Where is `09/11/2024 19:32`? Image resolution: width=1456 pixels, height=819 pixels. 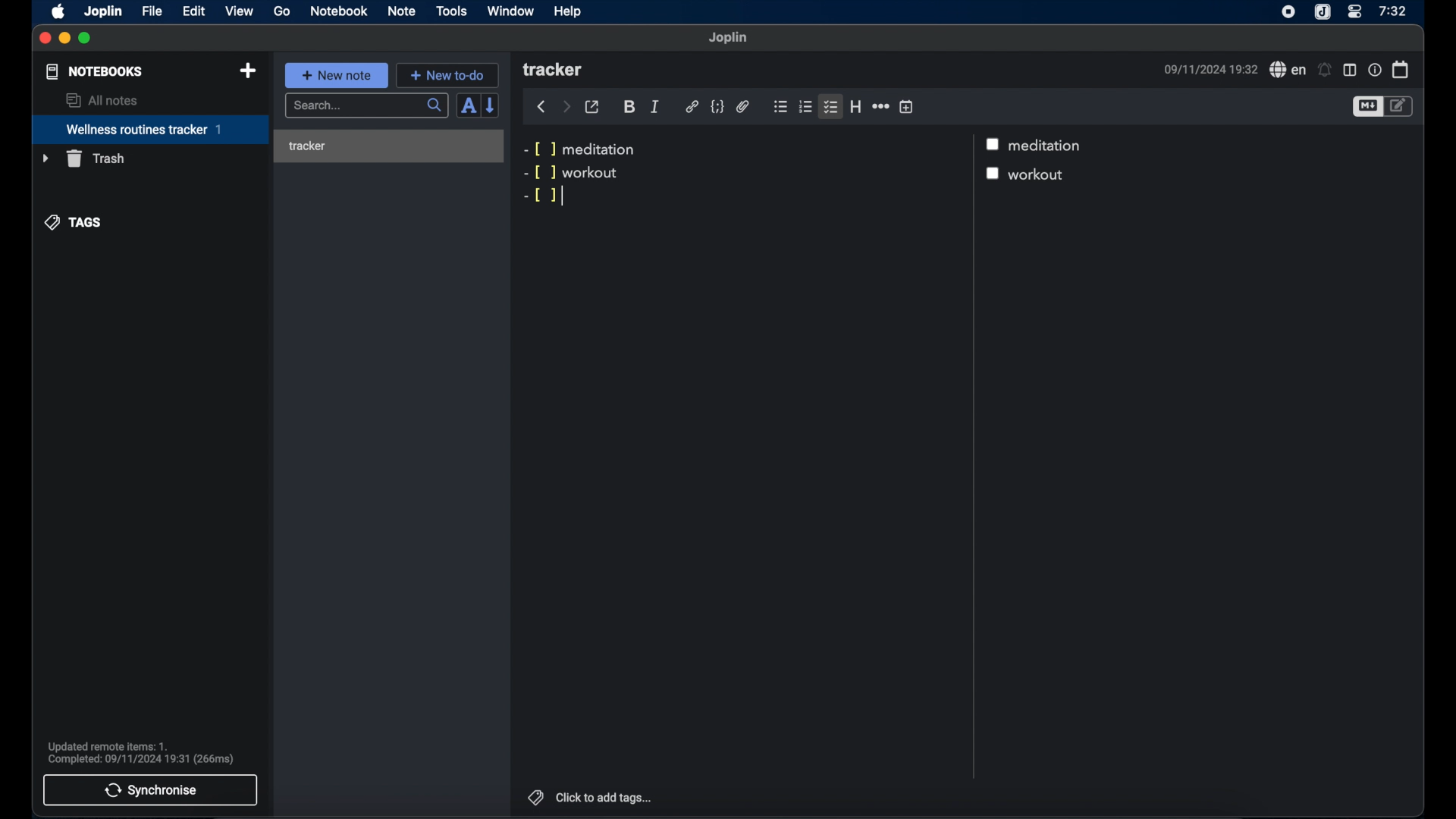 09/11/2024 19:32 is located at coordinates (1208, 69).